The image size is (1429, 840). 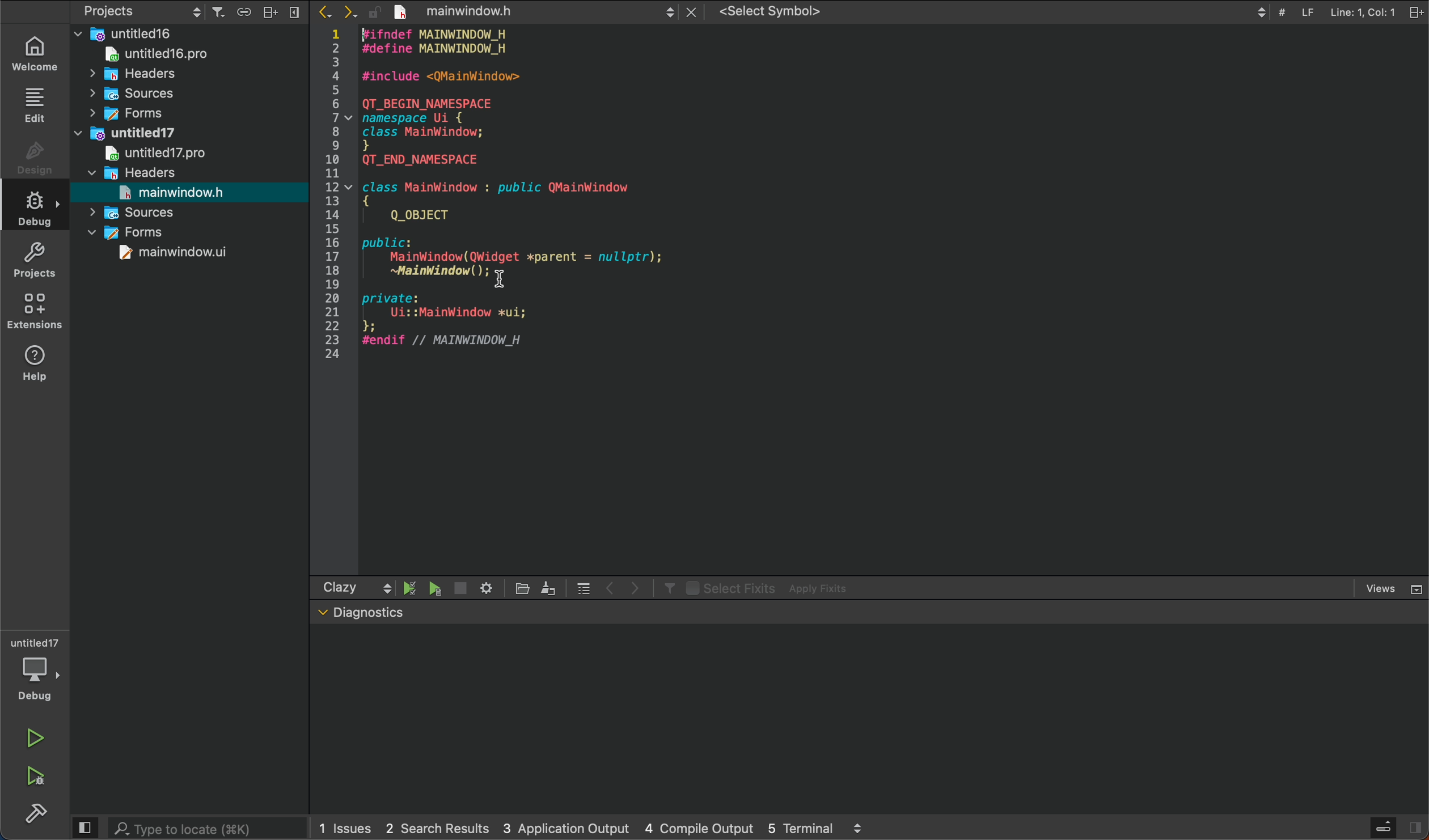 I want to click on Cursor, so click(x=503, y=280).